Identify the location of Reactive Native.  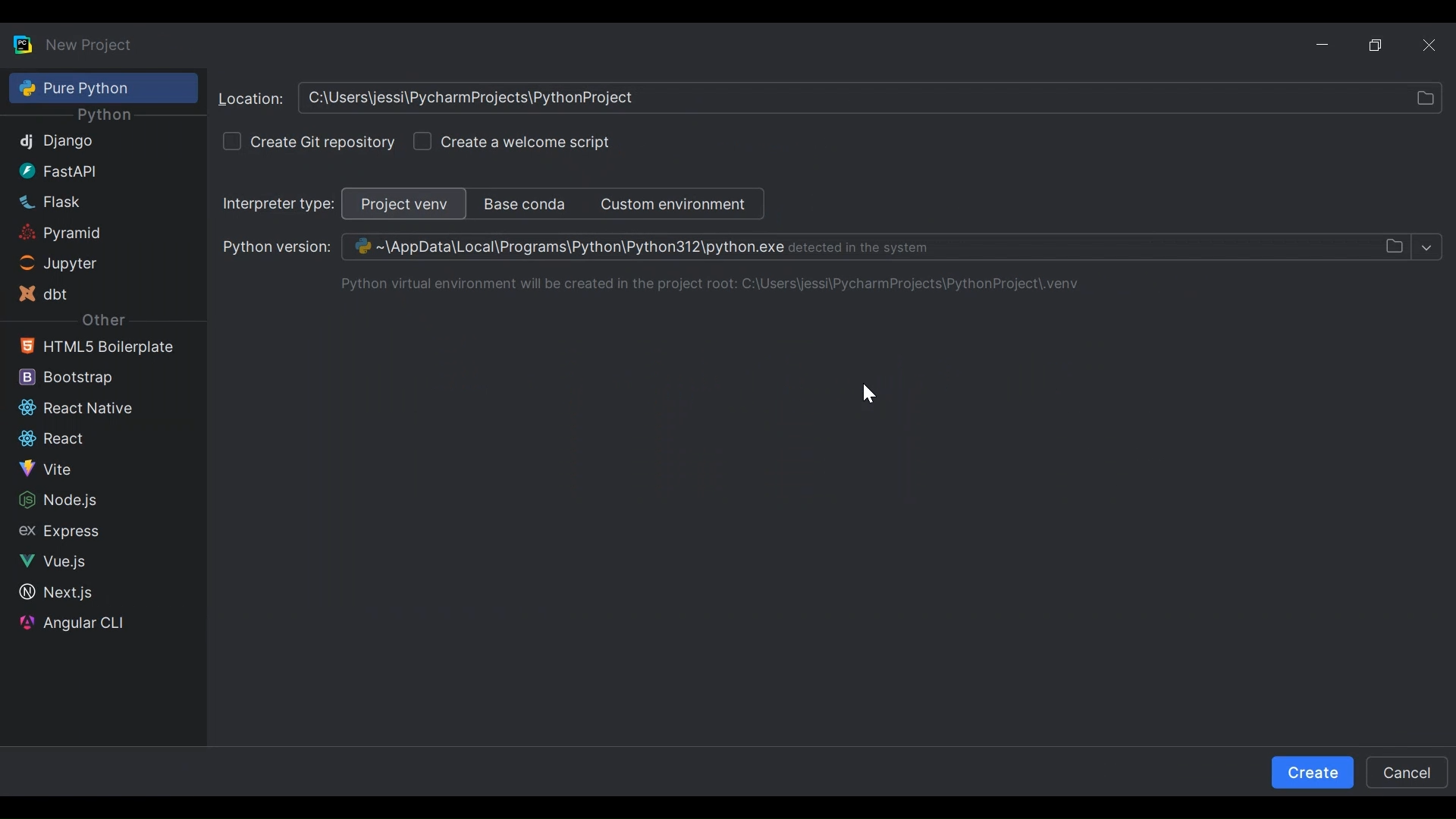
(96, 409).